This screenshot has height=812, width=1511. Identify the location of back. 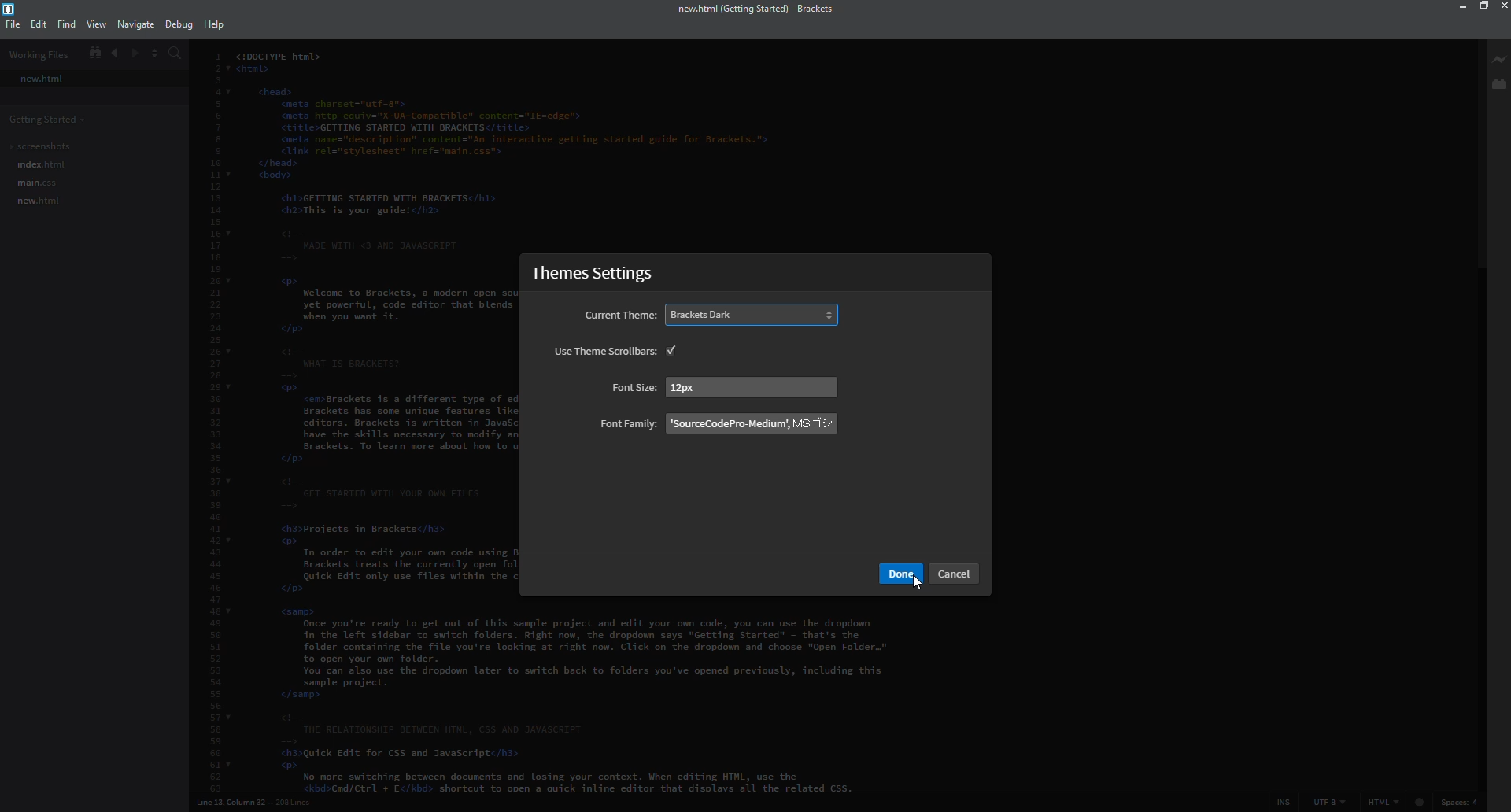
(114, 54).